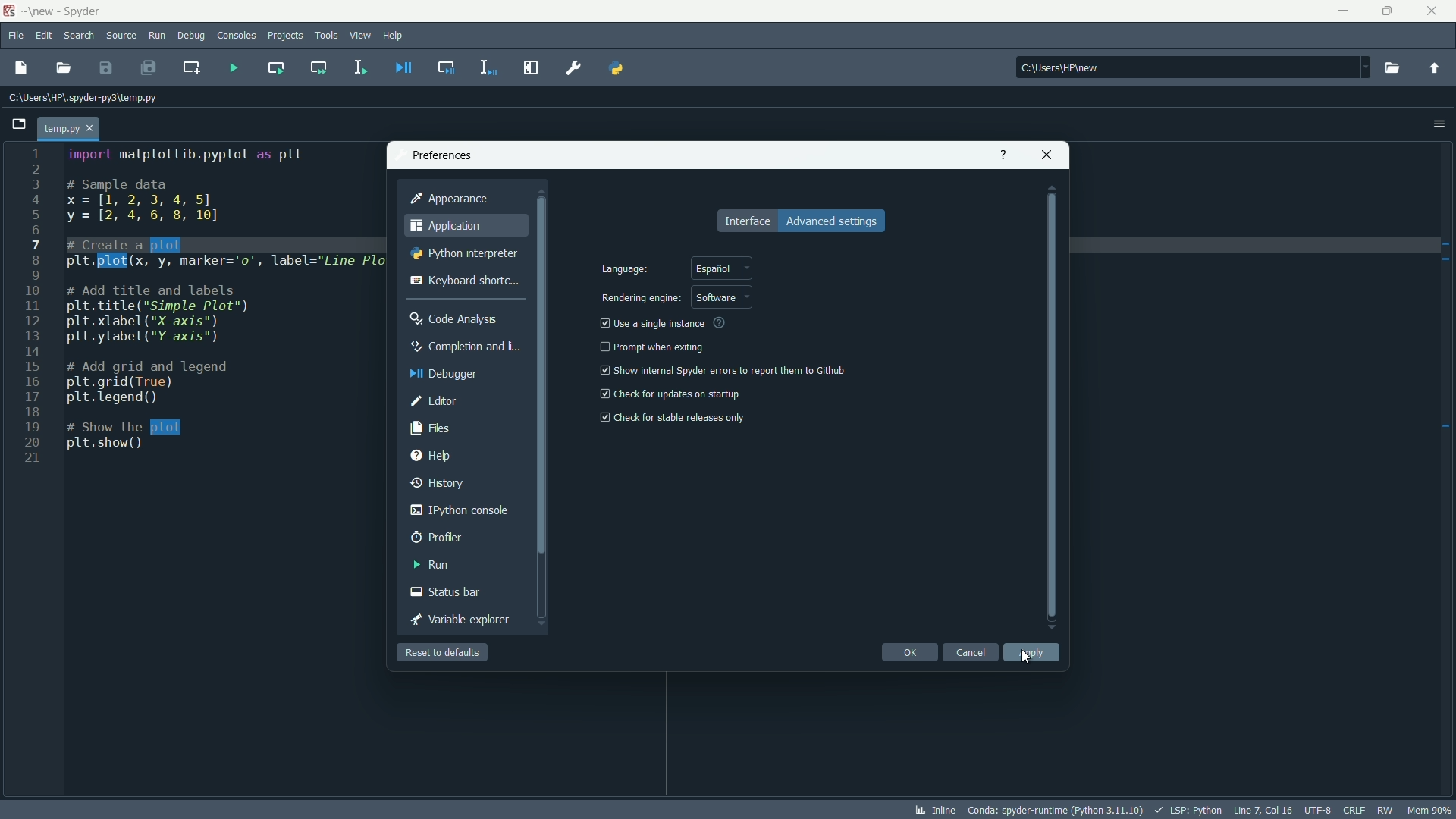 Image resolution: width=1456 pixels, height=819 pixels. What do you see at coordinates (832, 221) in the screenshot?
I see `advance settings` at bounding box center [832, 221].